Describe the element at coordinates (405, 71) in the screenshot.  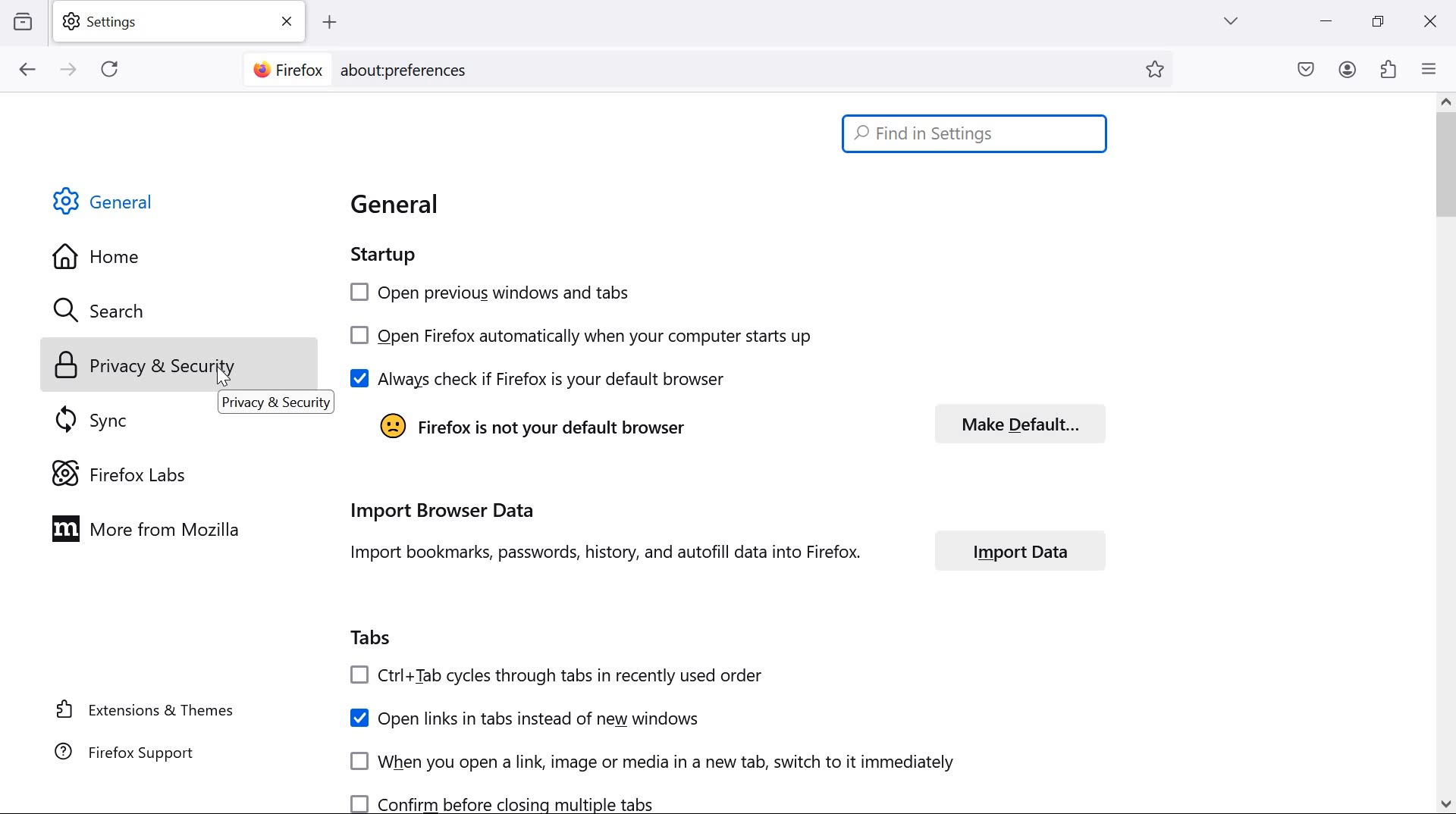
I see `about:preferences` at that location.